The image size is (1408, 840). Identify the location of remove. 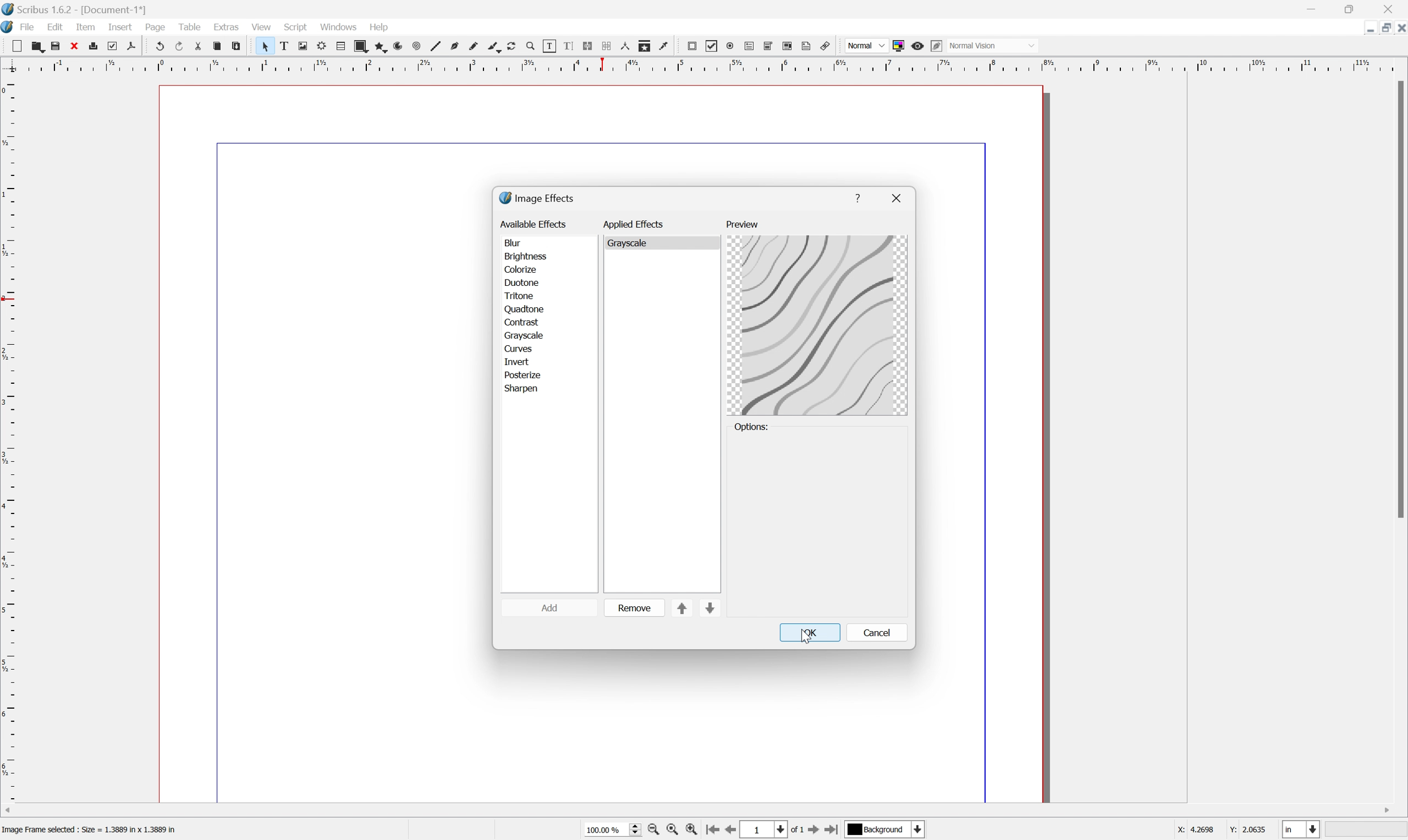
(635, 607).